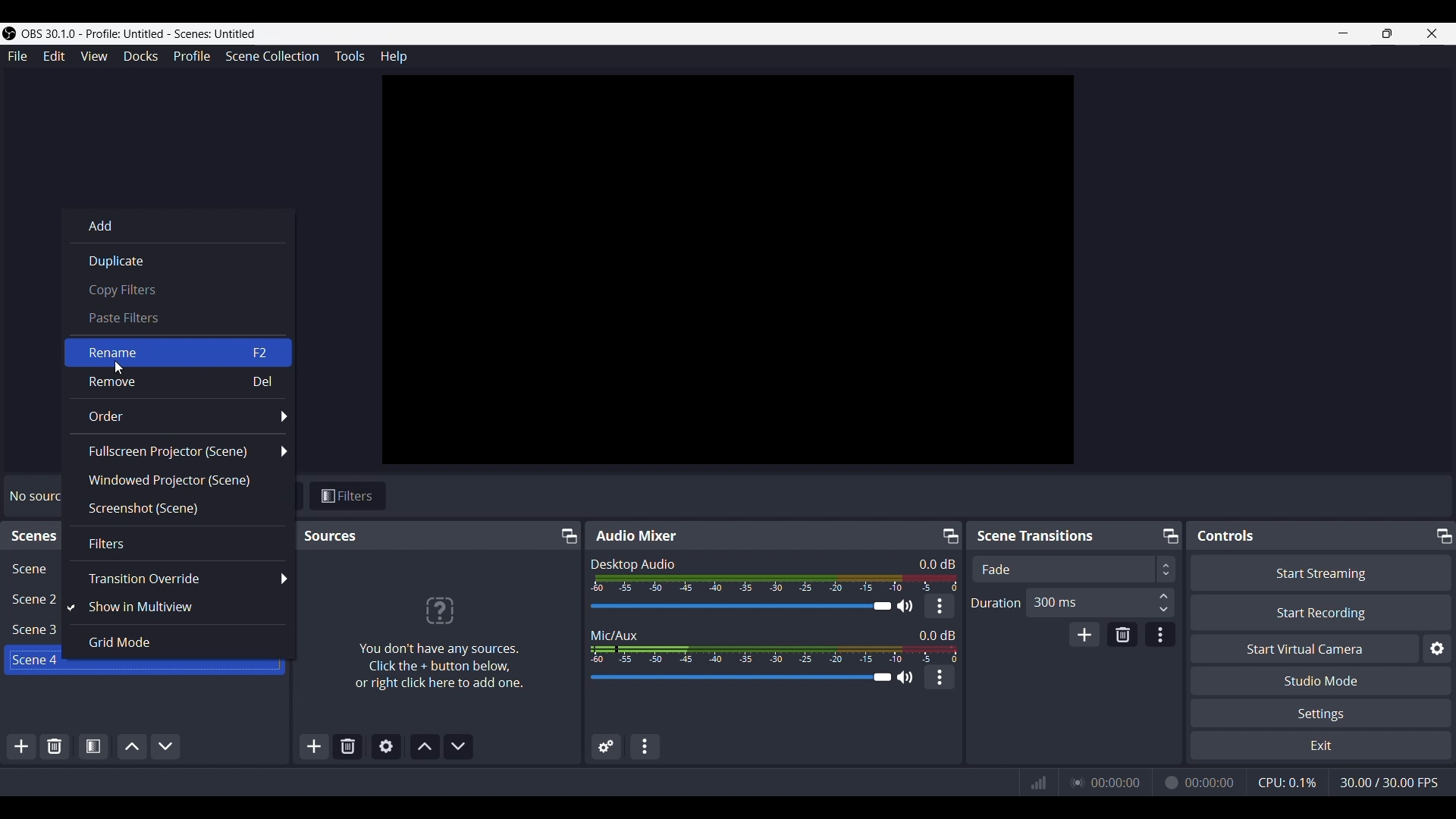  What do you see at coordinates (1320, 573) in the screenshot?
I see `Start Streaming` at bounding box center [1320, 573].